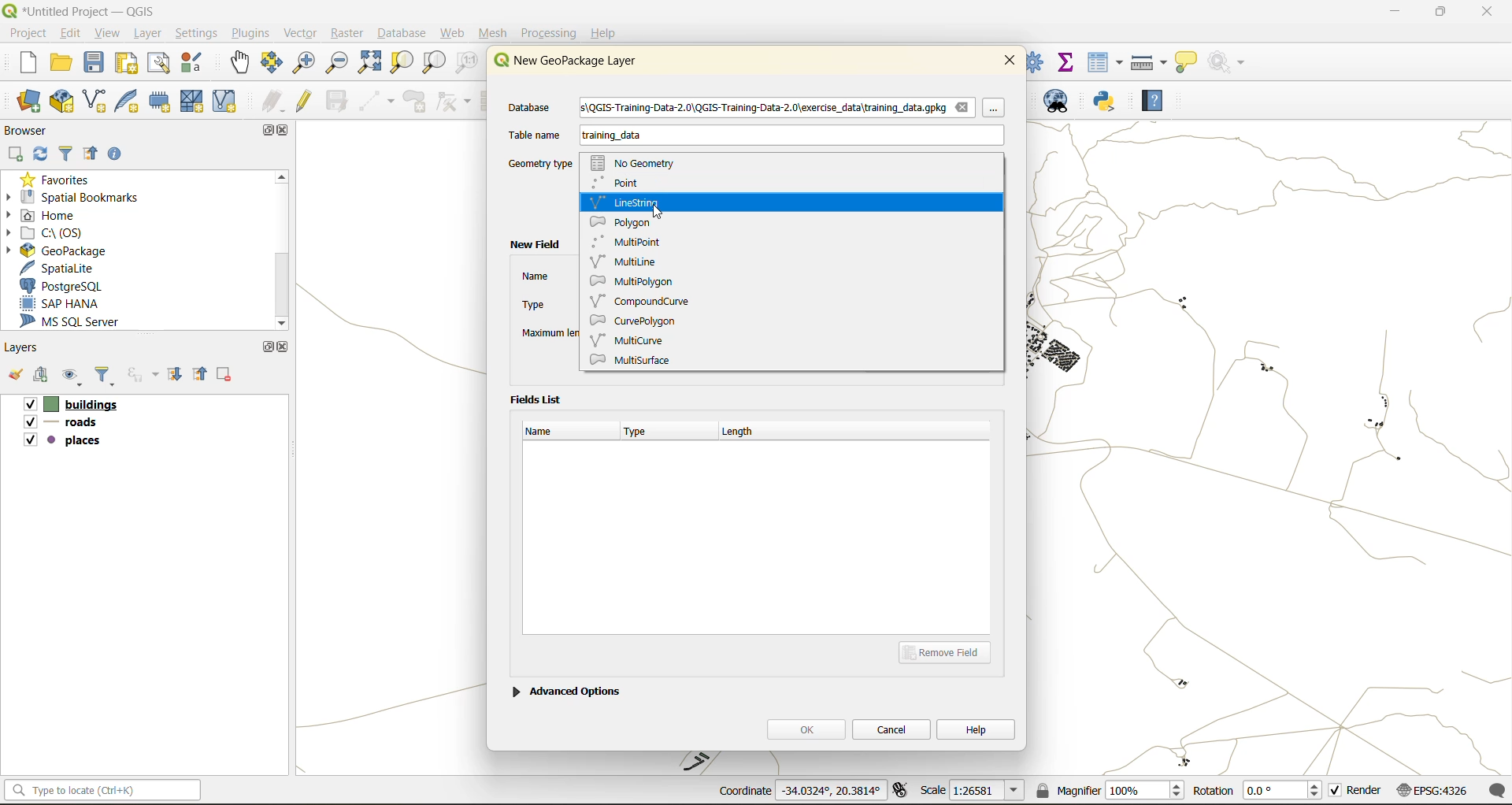  What do you see at coordinates (542, 164) in the screenshot?
I see `Geometry type` at bounding box center [542, 164].